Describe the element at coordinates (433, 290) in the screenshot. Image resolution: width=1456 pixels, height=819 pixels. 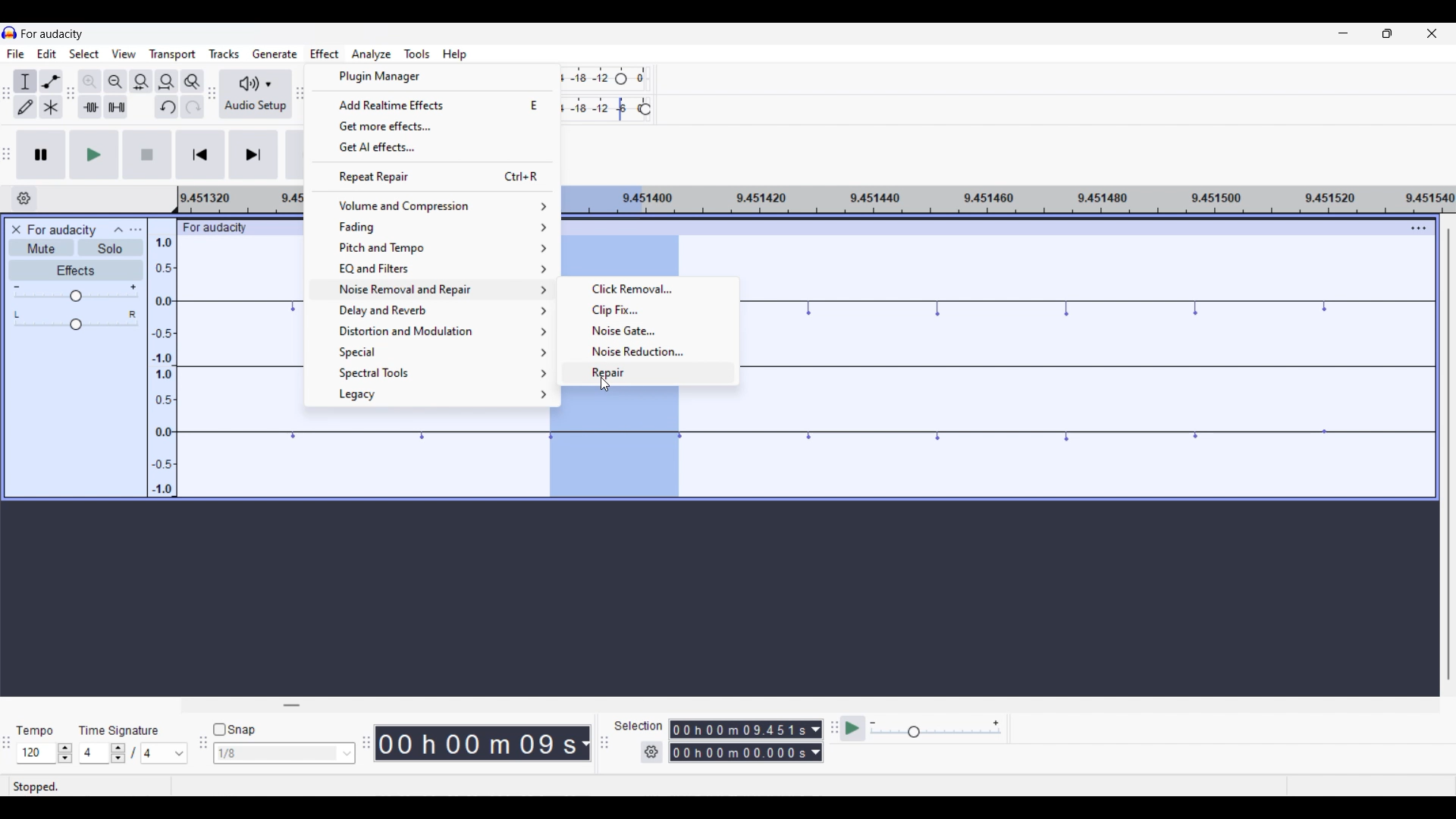
I see `Naise removal ans repair options` at that location.